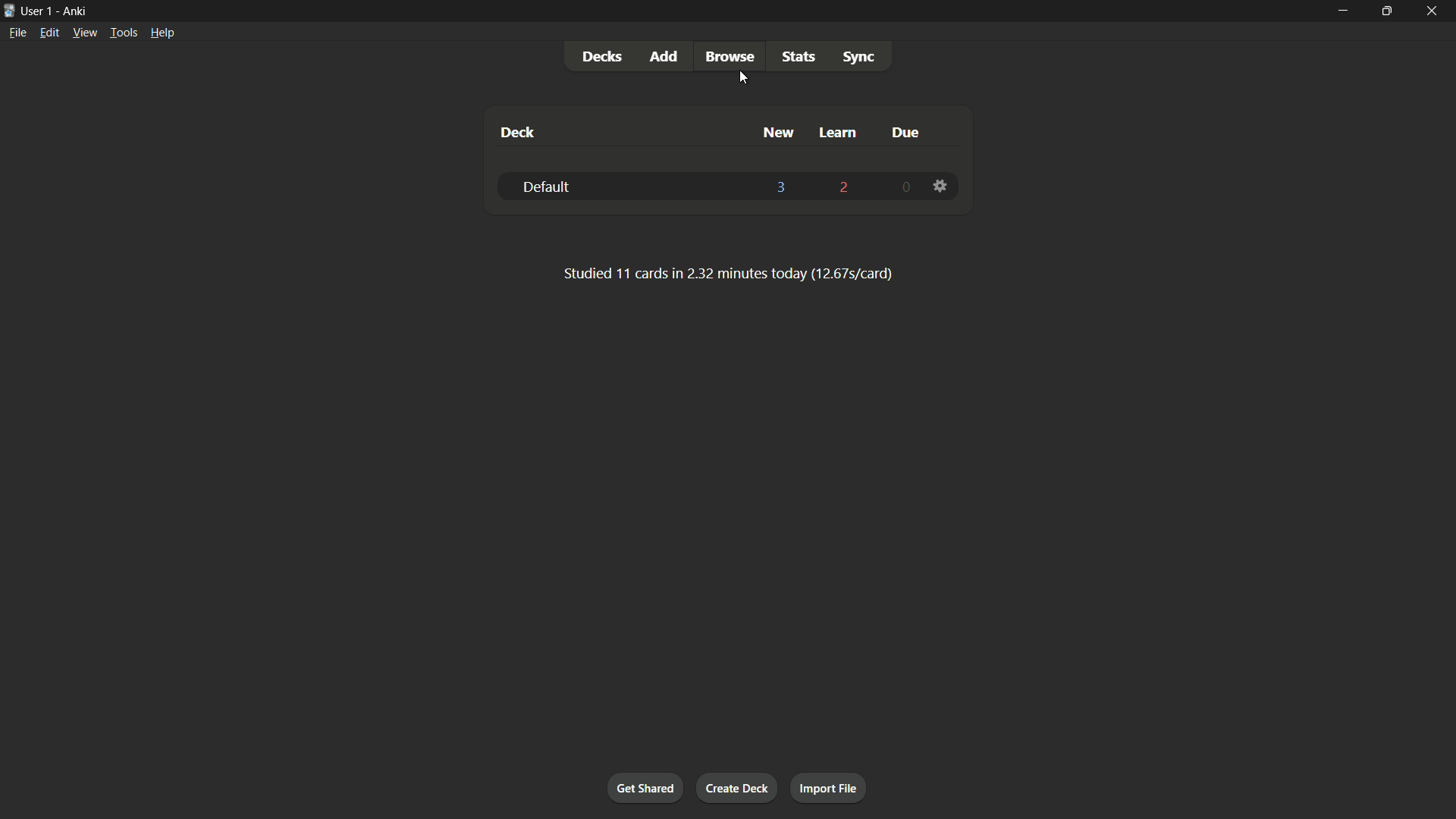 The width and height of the screenshot is (1456, 819). What do you see at coordinates (162, 33) in the screenshot?
I see `help menu` at bounding box center [162, 33].